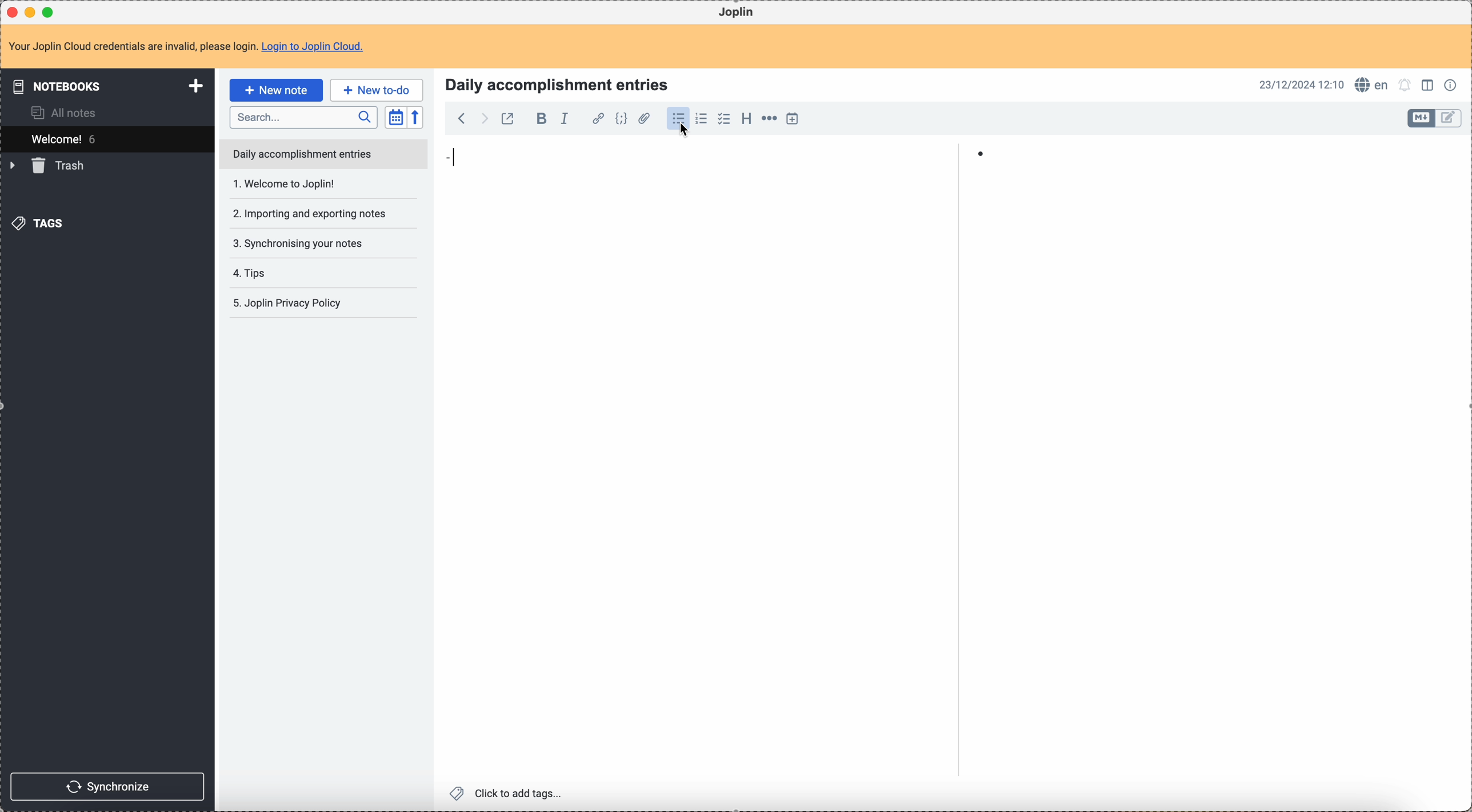 The image size is (1472, 812). Describe the element at coordinates (286, 273) in the screenshot. I see `Joplin privacy policy` at that location.